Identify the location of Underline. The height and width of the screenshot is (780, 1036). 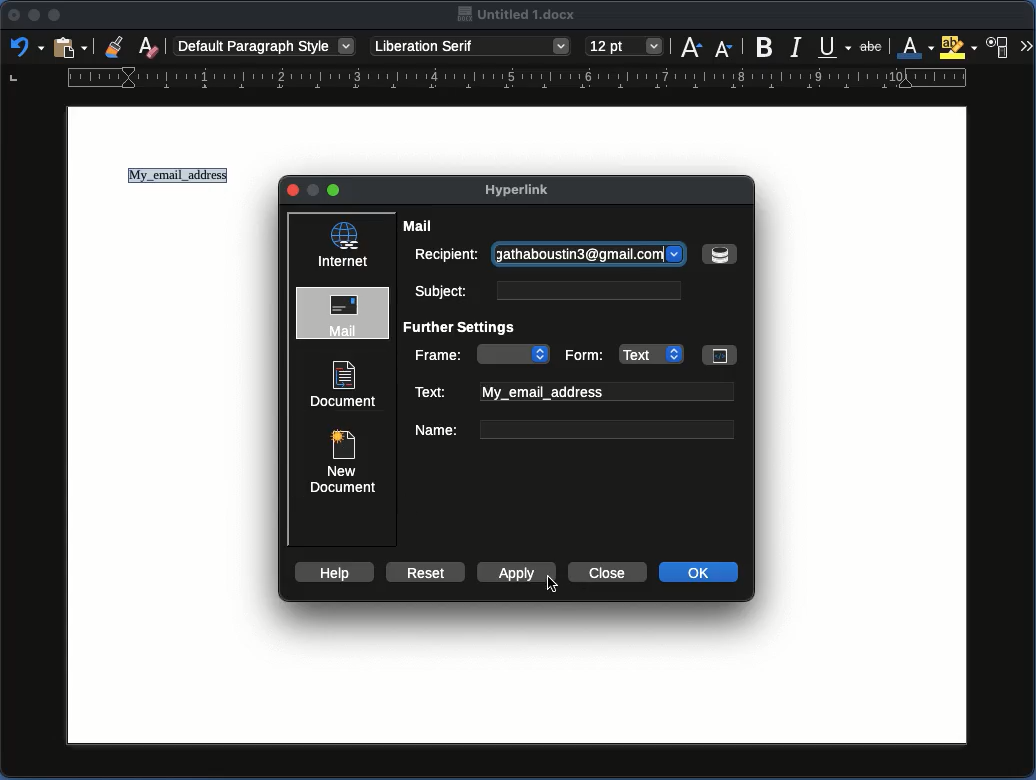
(833, 45).